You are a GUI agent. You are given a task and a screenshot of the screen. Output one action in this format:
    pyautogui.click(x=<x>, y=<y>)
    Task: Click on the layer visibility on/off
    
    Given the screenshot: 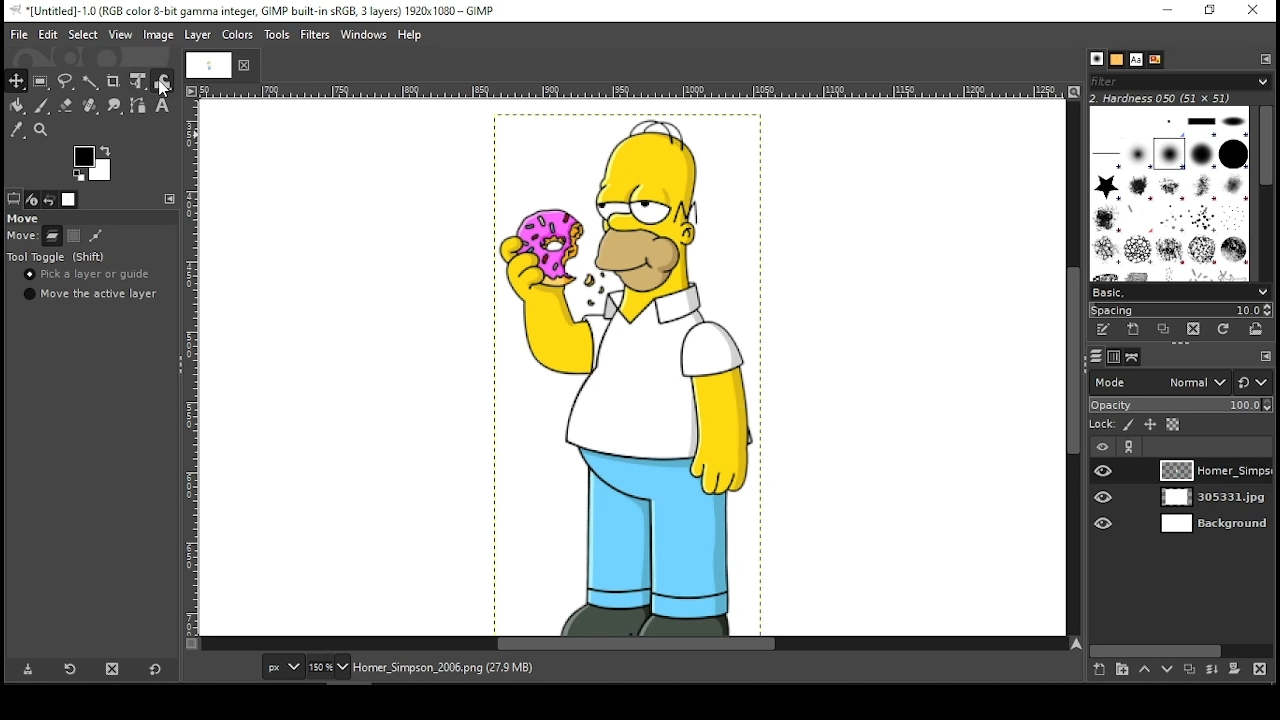 What is the action you would take?
    pyautogui.click(x=1103, y=470)
    